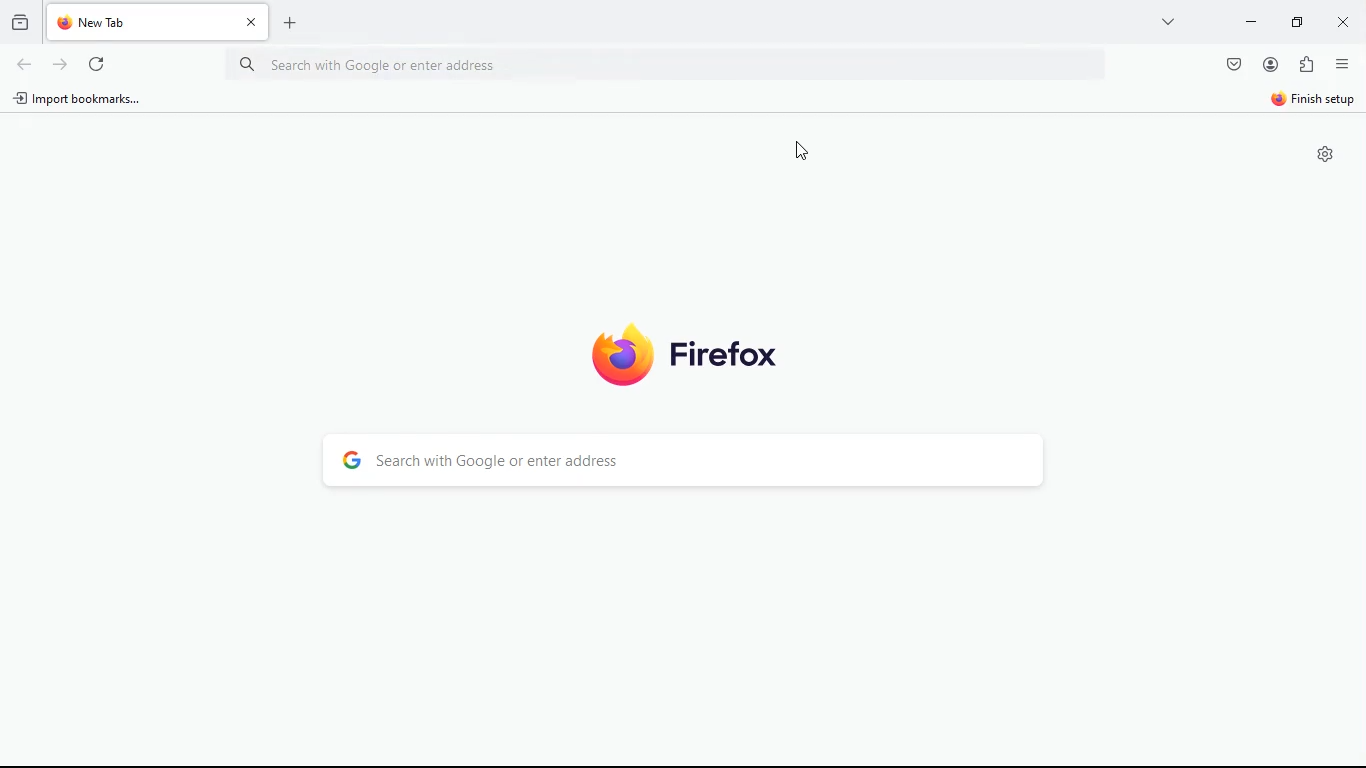 This screenshot has height=768, width=1366. Describe the element at coordinates (1305, 65) in the screenshot. I see `extensions` at that location.